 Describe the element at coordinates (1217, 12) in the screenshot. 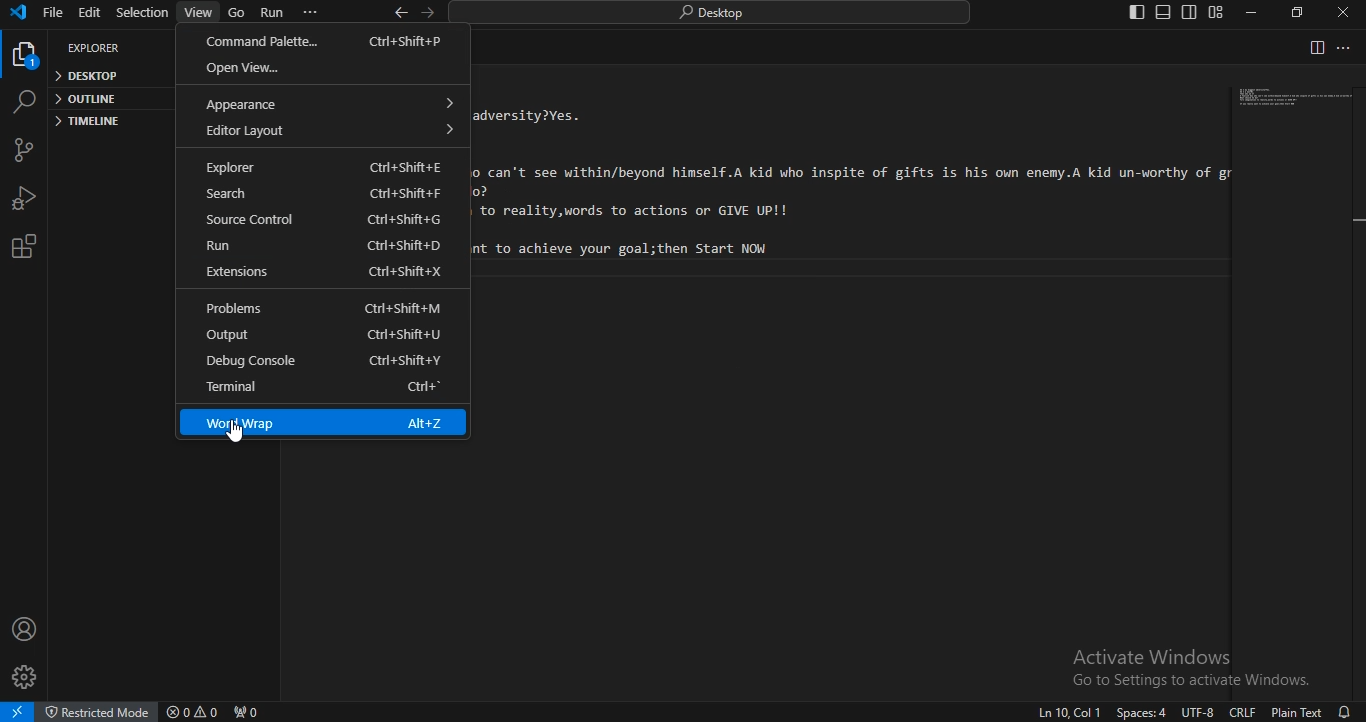

I see `customize layout` at that location.